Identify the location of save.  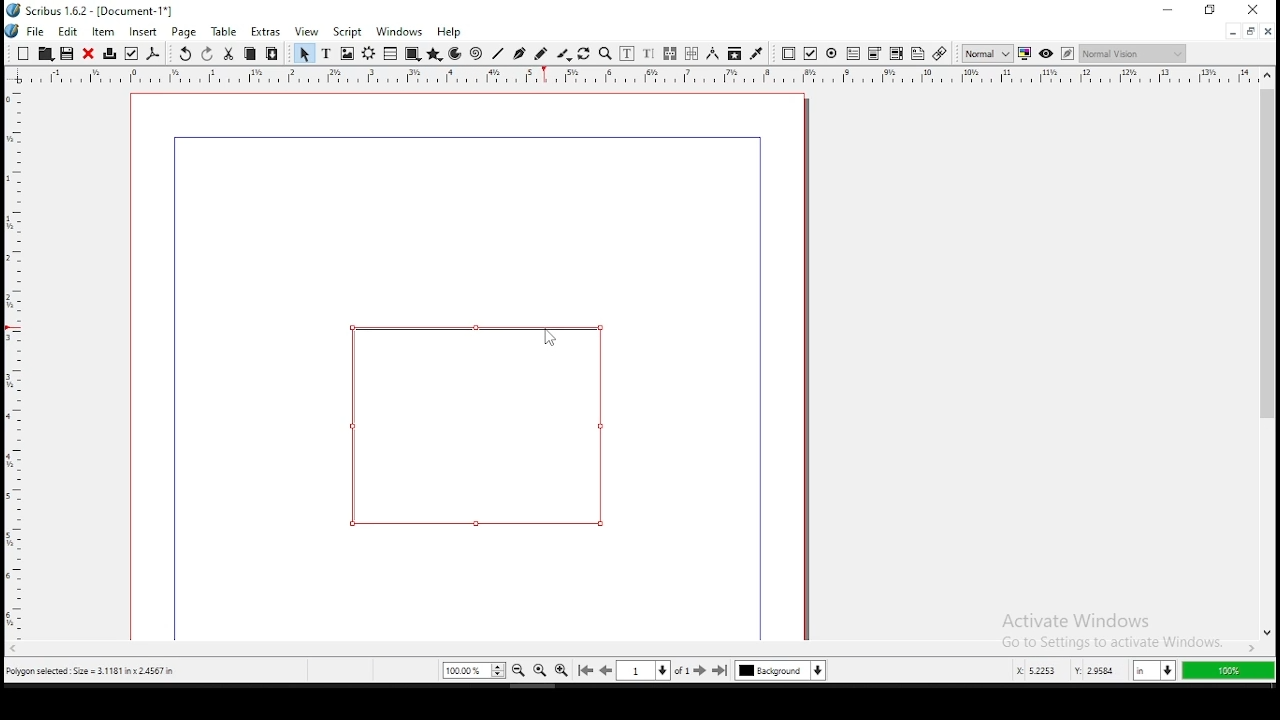
(66, 53).